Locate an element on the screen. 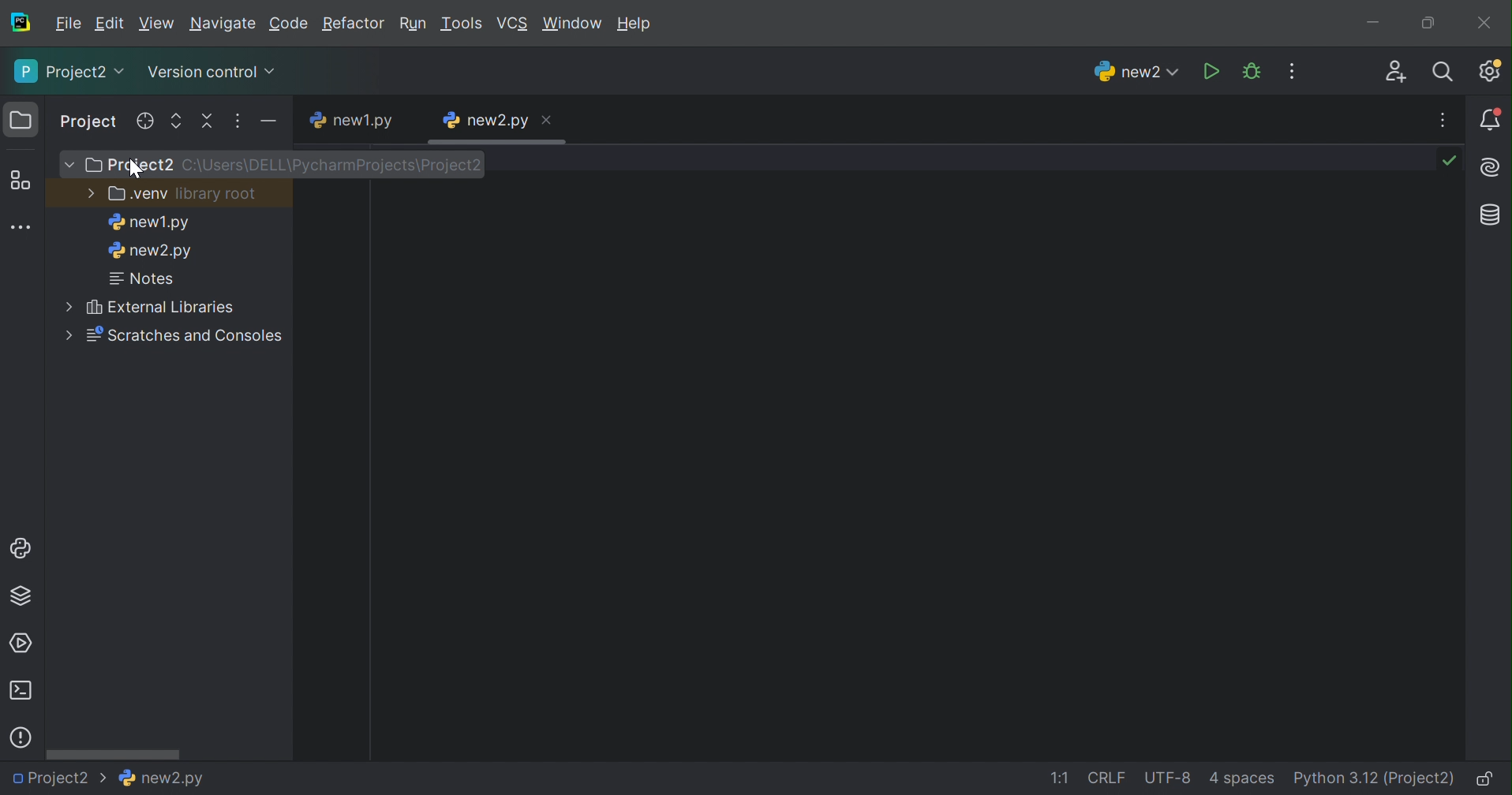 The image size is (1512, 795). Debug is located at coordinates (1252, 71).